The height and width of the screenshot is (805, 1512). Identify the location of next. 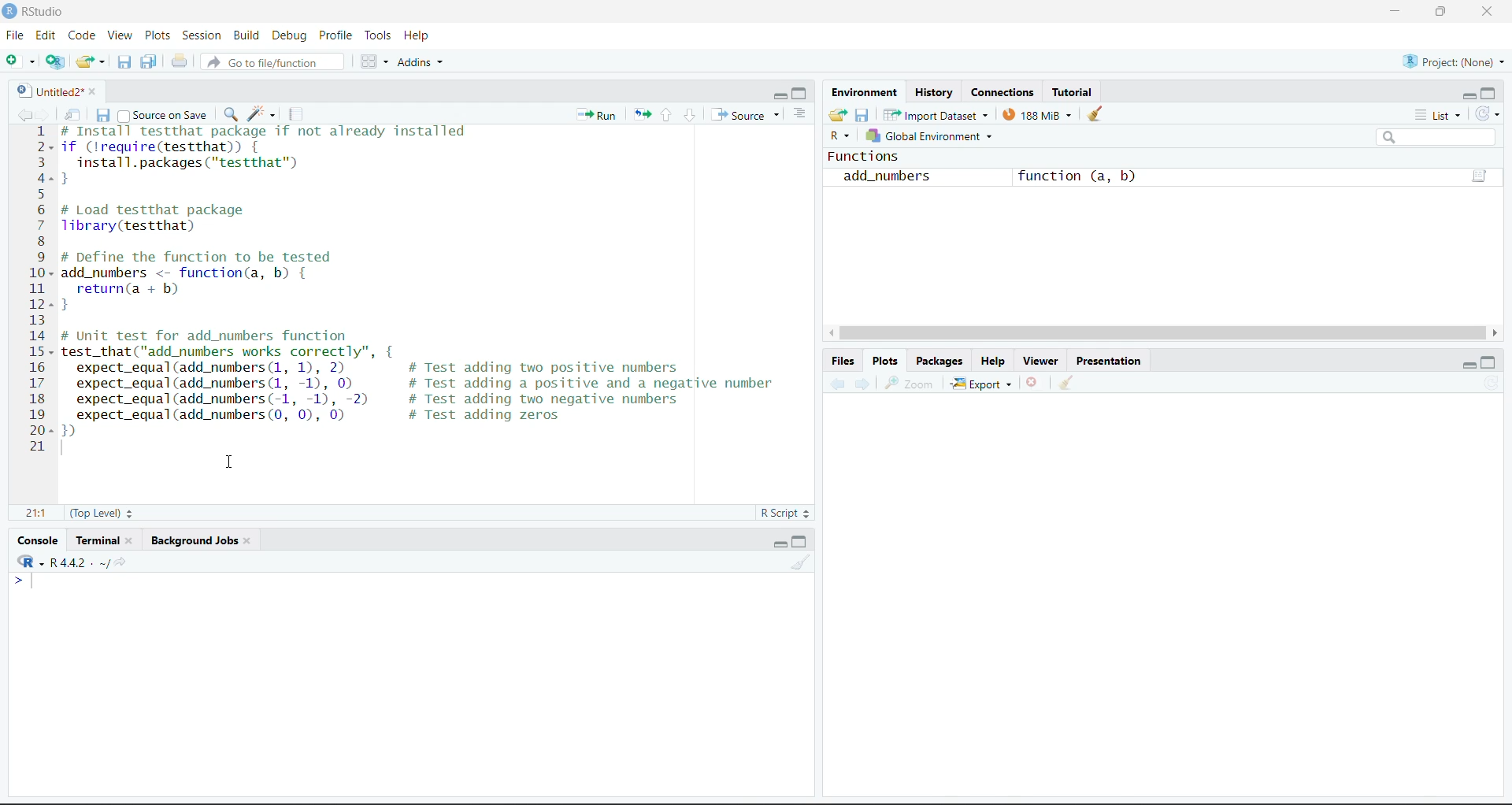
(862, 381).